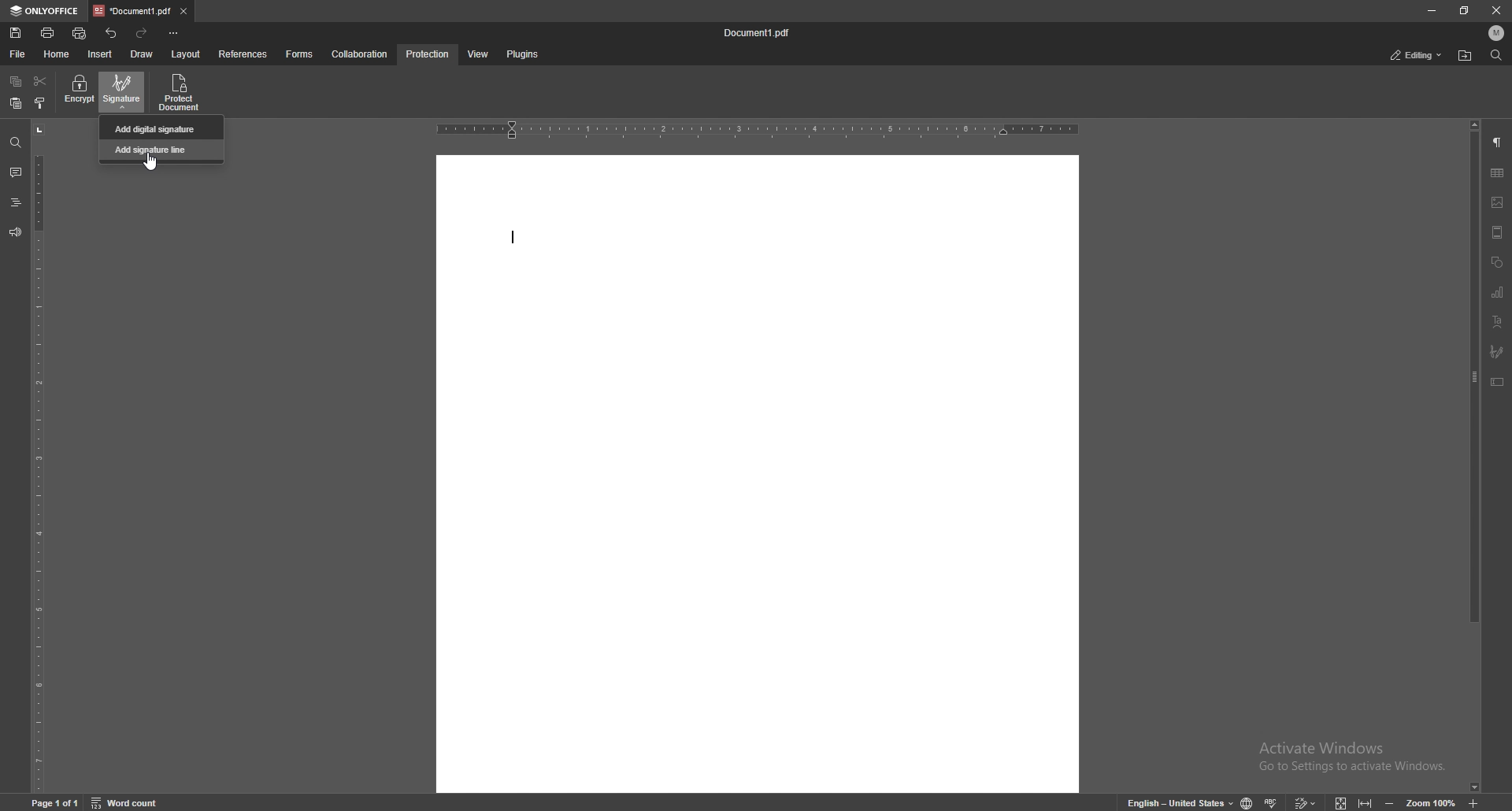 This screenshot has height=811, width=1512. Describe the element at coordinates (1417, 56) in the screenshot. I see `status` at that location.